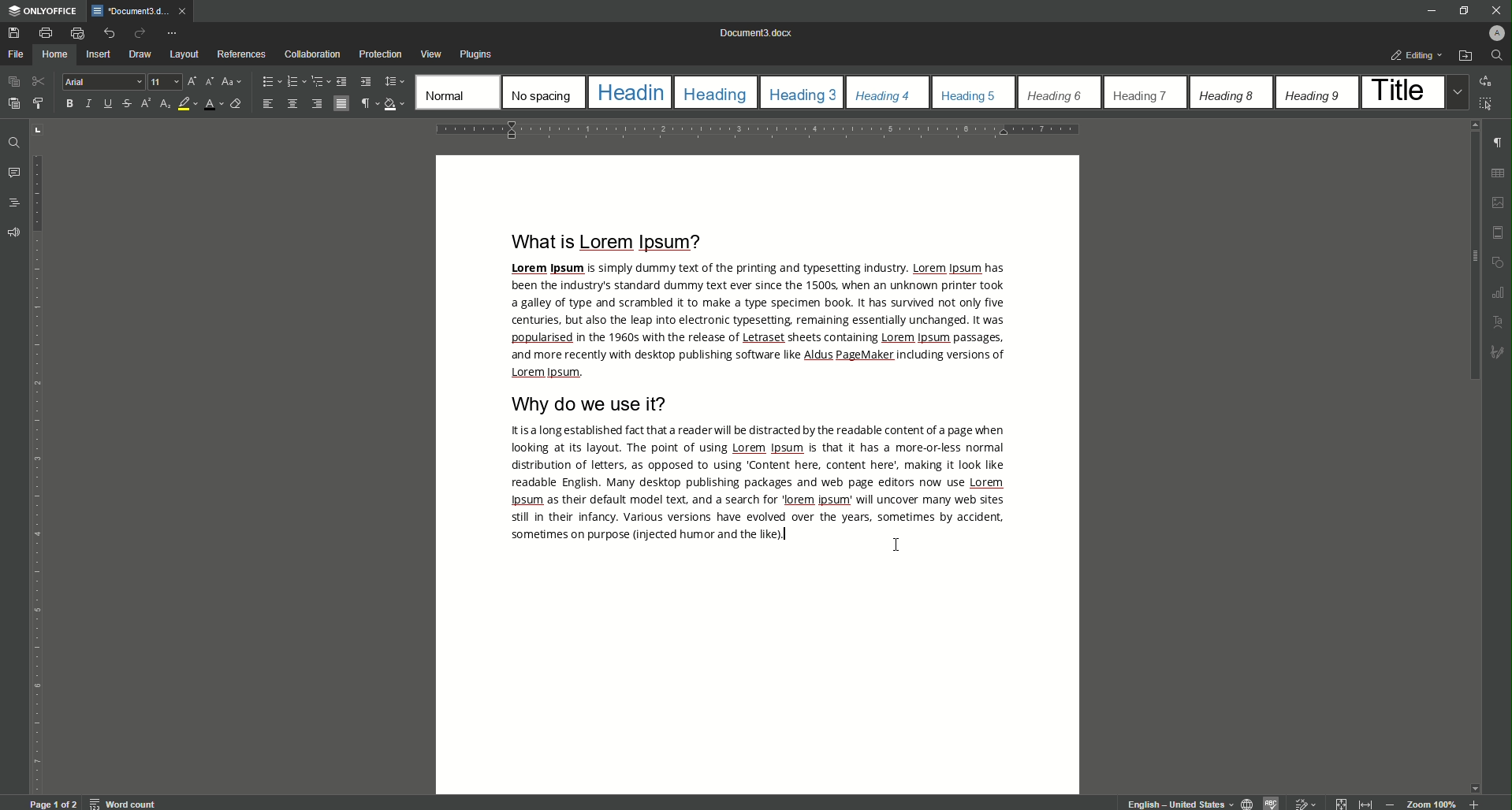  I want to click on Paragraph Line Spacing, so click(395, 80).